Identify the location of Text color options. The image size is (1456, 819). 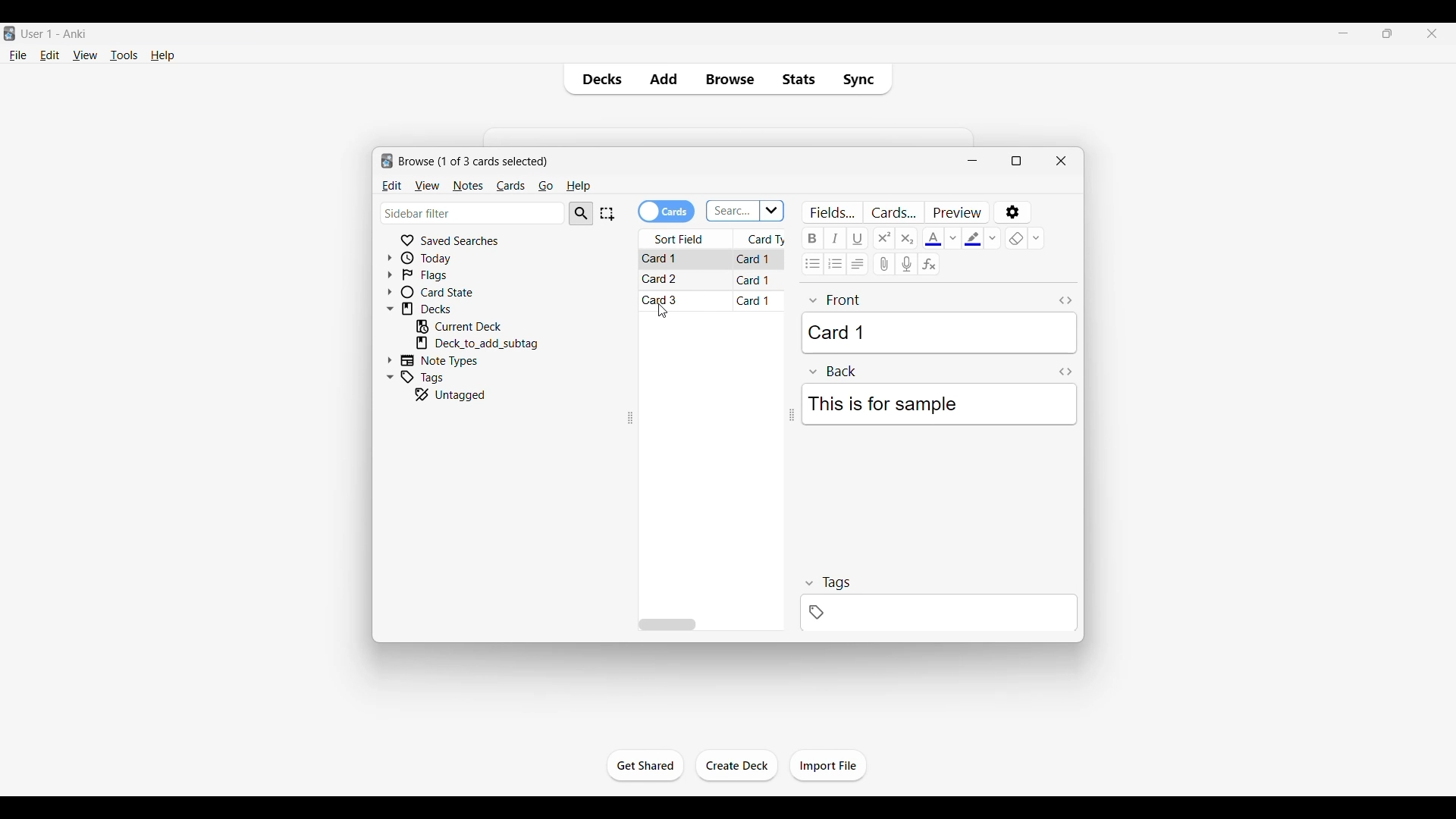
(952, 238).